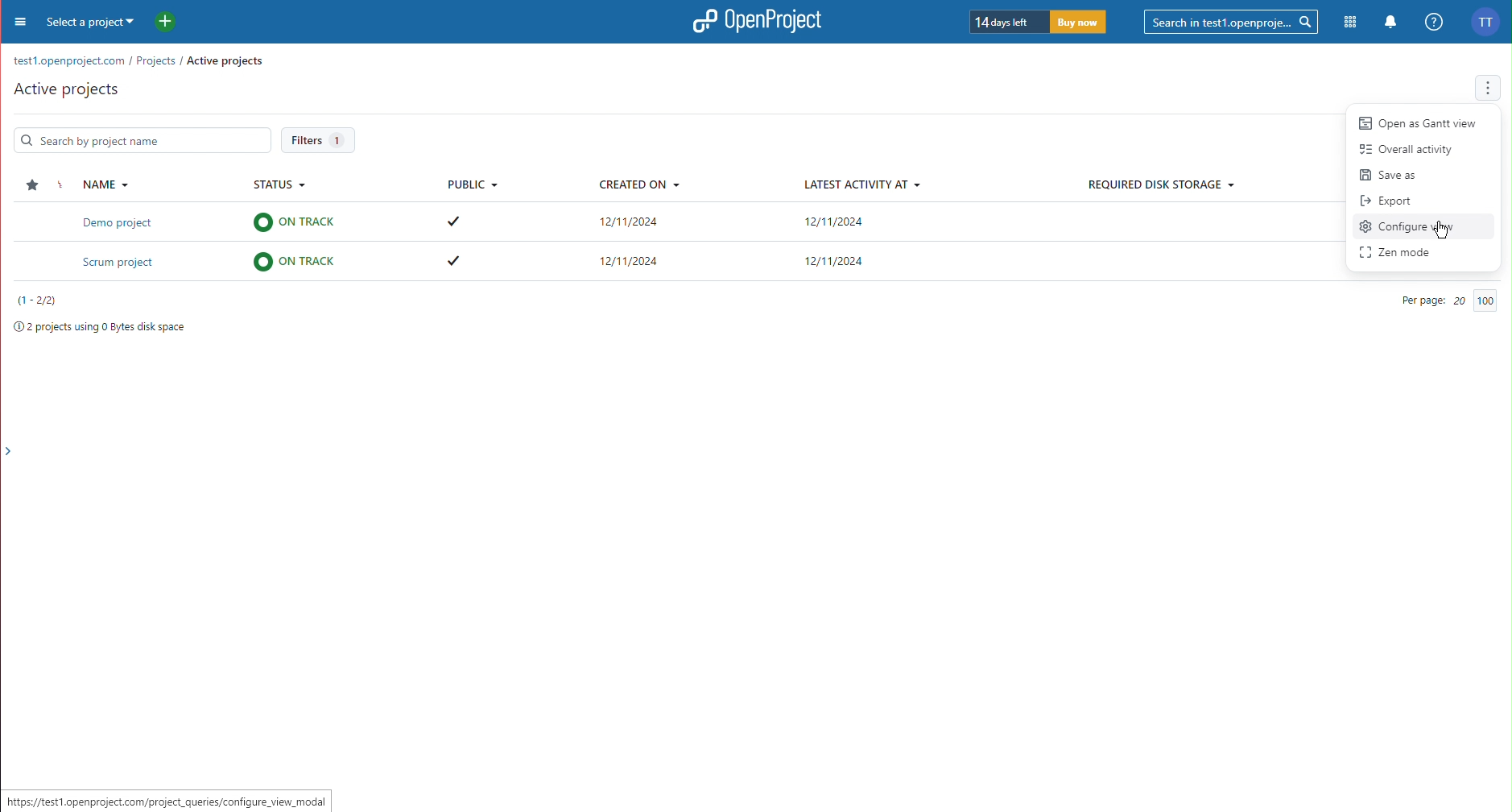 The width and height of the screenshot is (1512, 812). I want to click on Export, so click(1388, 200).